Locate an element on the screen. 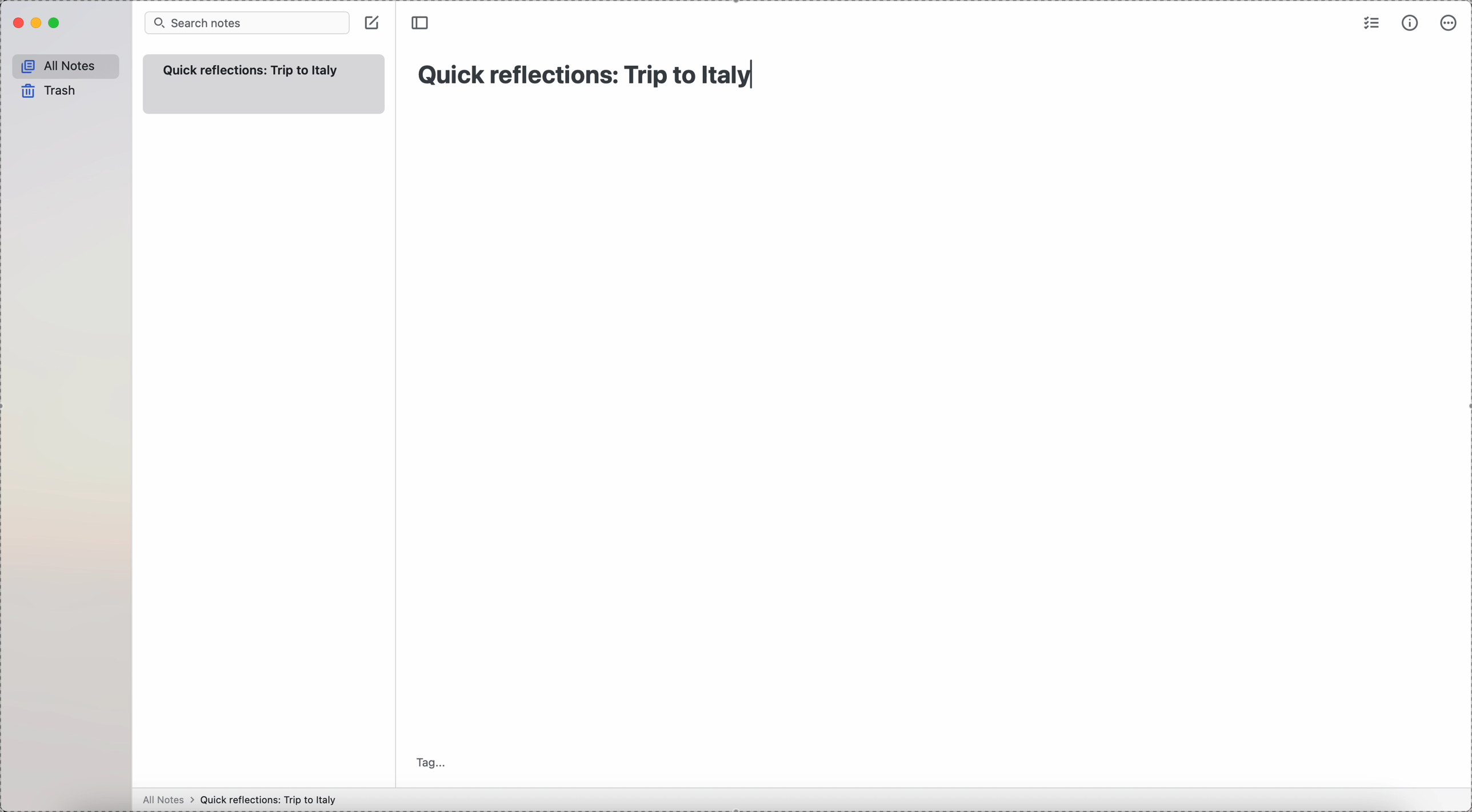 The height and width of the screenshot is (812, 1472). more options is located at coordinates (1449, 25).